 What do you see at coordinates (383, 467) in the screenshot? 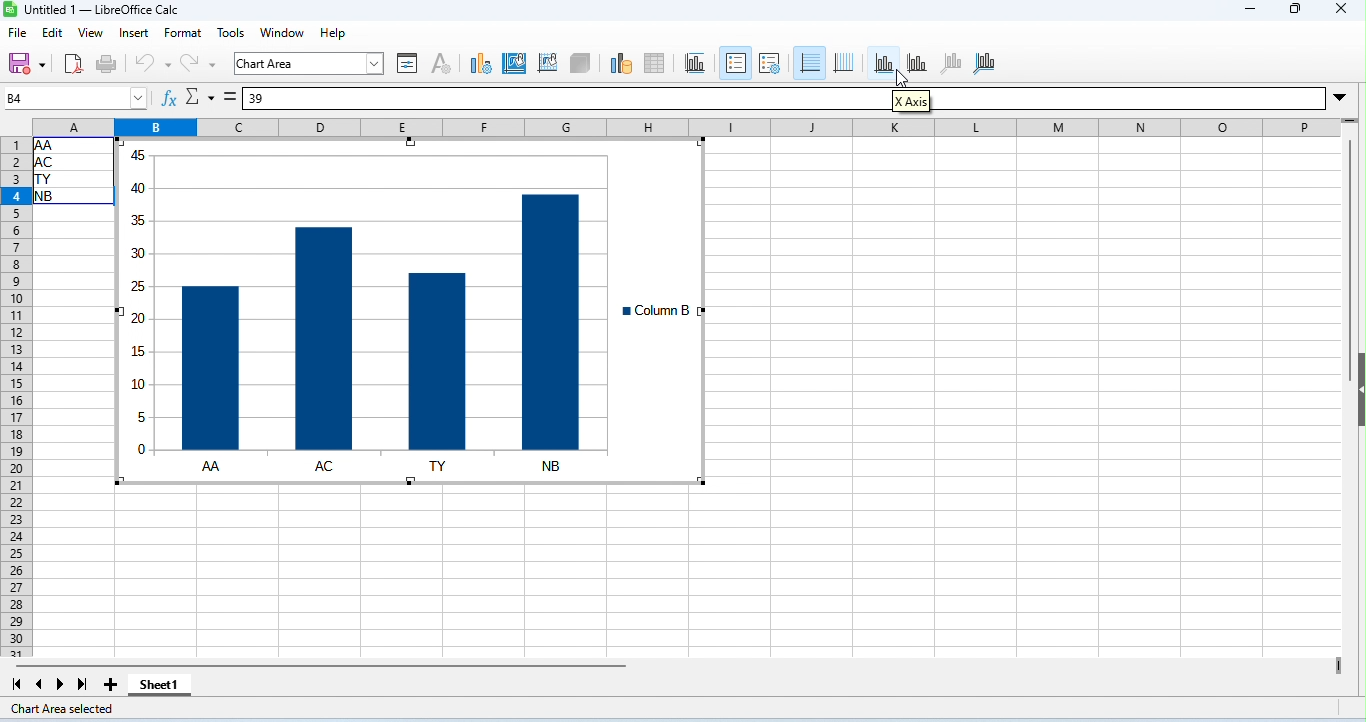
I see `categories` at bounding box center [383, 467].